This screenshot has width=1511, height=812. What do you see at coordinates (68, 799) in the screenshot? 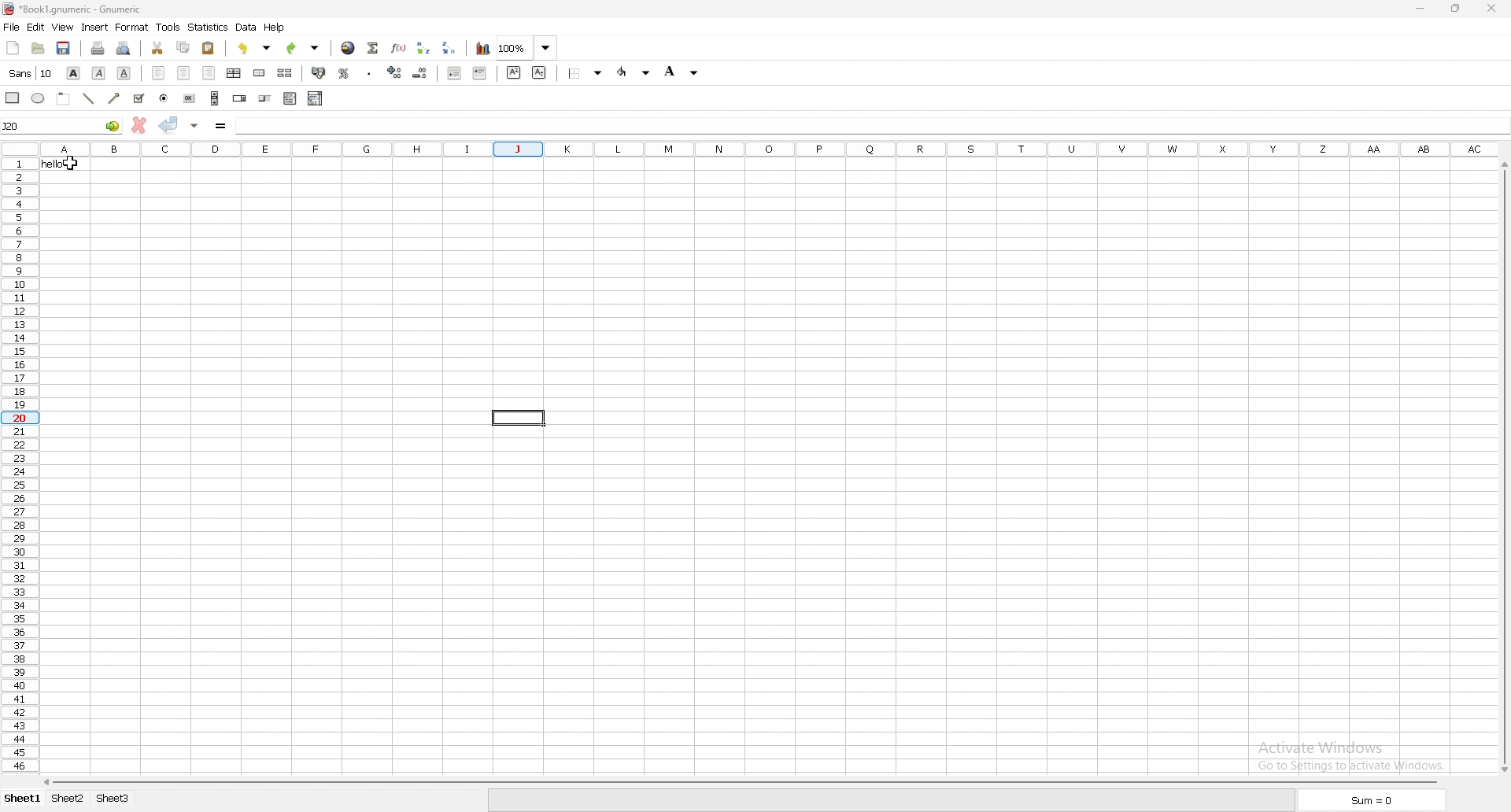
I see `sheet 2` at bounding box center [68, 799].